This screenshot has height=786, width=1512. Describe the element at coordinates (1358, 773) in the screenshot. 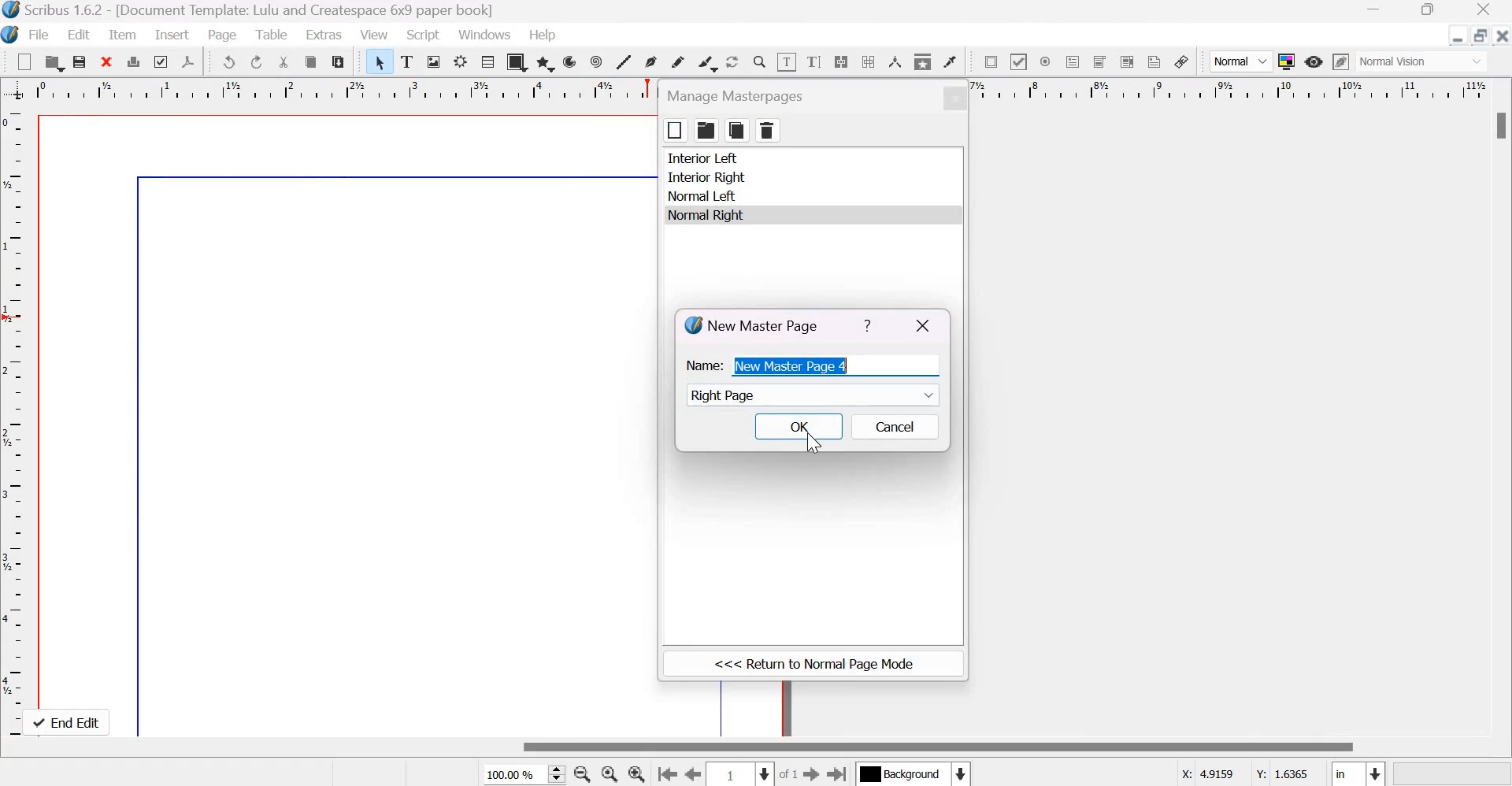

I see `Select the current unit` at that location.